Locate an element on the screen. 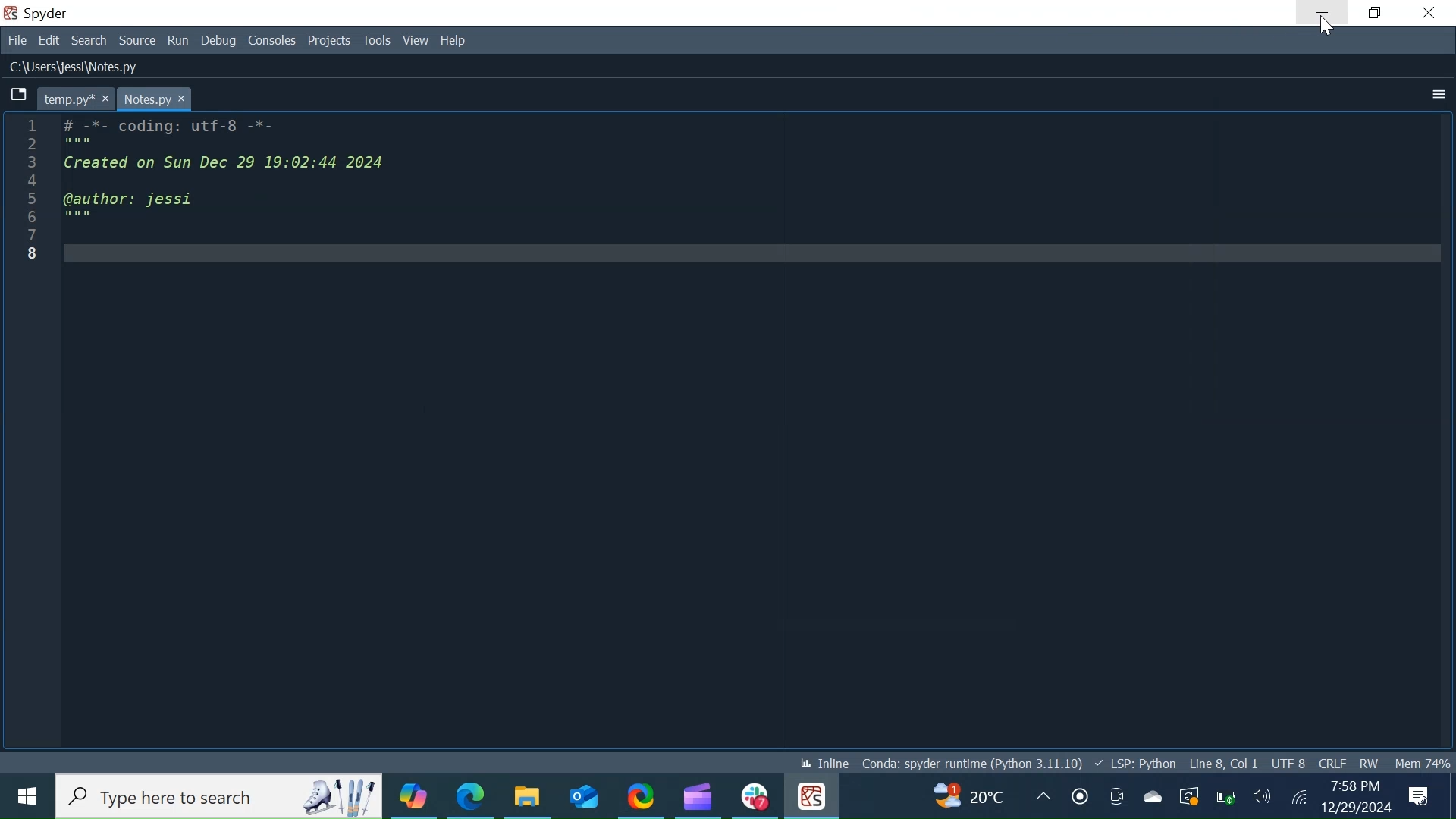  Edit is located at coordinates (49, 42).